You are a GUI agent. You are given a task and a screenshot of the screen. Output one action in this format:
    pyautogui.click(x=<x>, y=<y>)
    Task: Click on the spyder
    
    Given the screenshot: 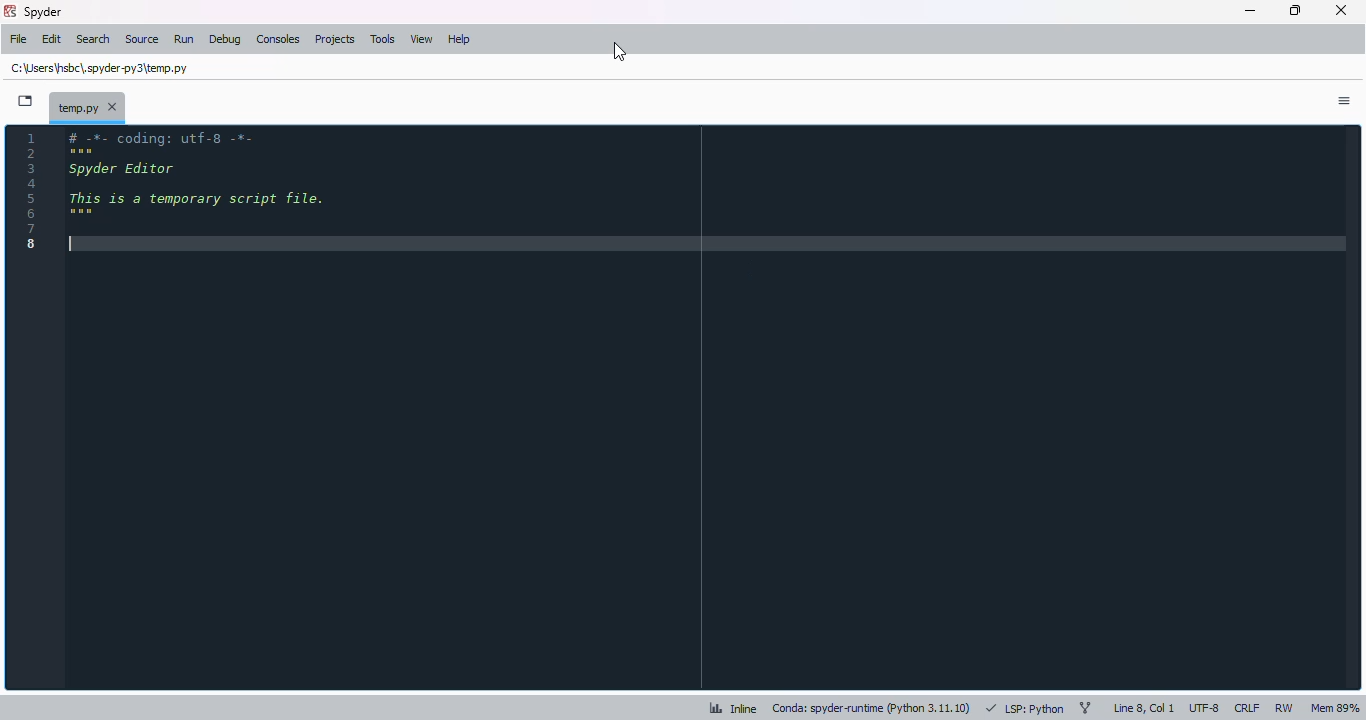 What is the action you would take?
    pyautogui.click(x=42, y=12)
    